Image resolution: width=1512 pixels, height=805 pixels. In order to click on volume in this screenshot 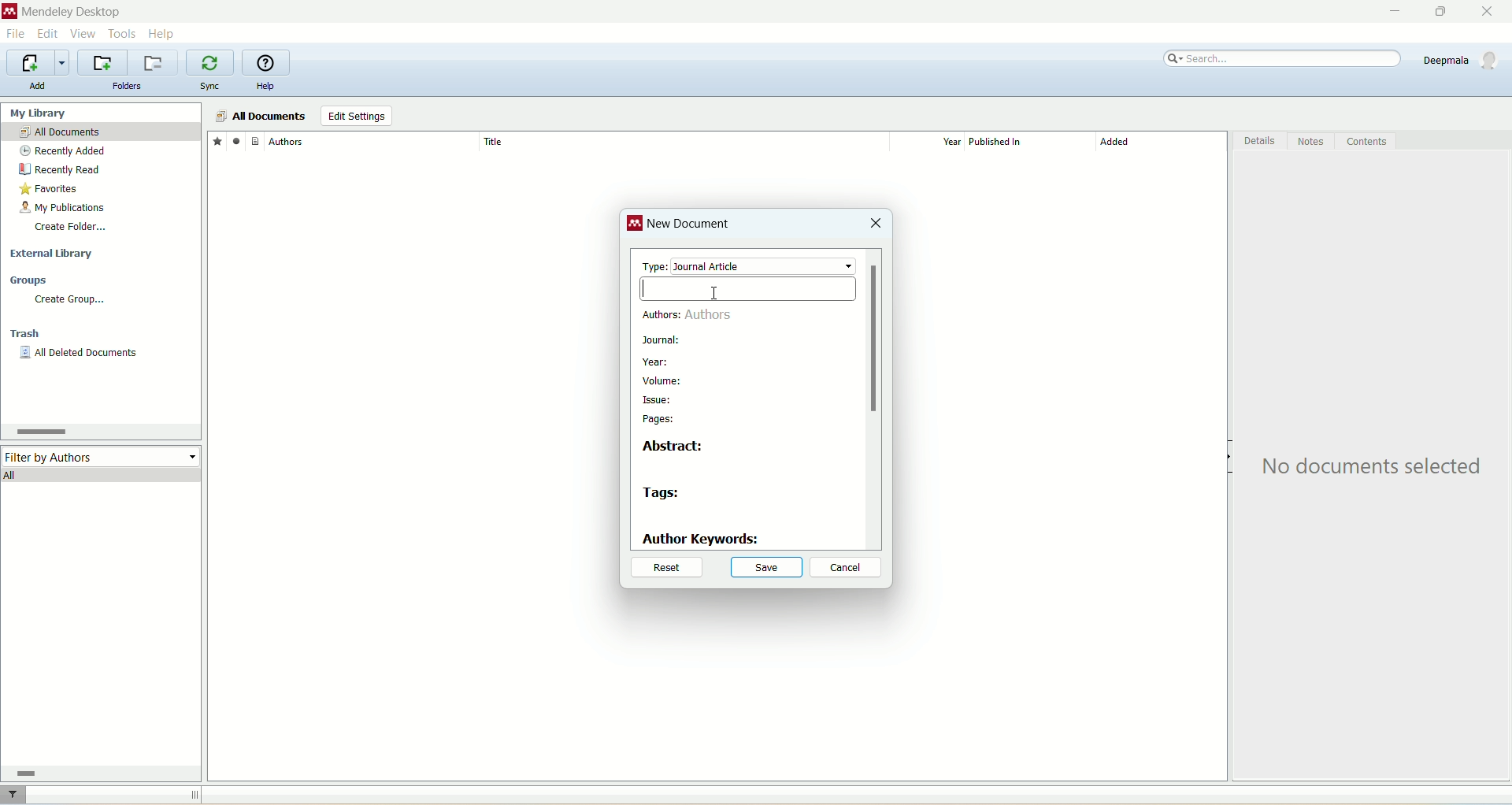, I will do `click(667, 380)`.